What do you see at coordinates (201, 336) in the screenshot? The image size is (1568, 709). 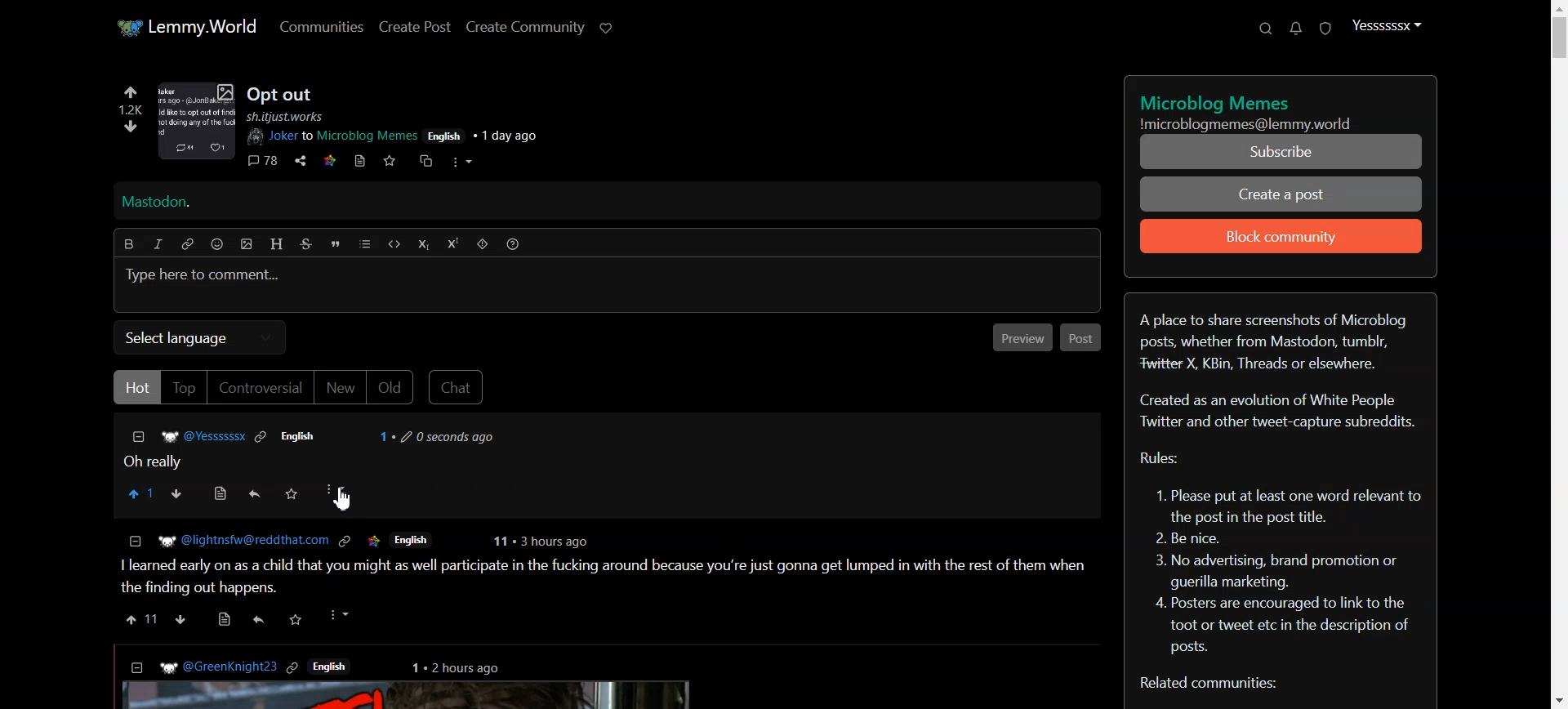 I see `Select language` at bounding box center [201, 336].